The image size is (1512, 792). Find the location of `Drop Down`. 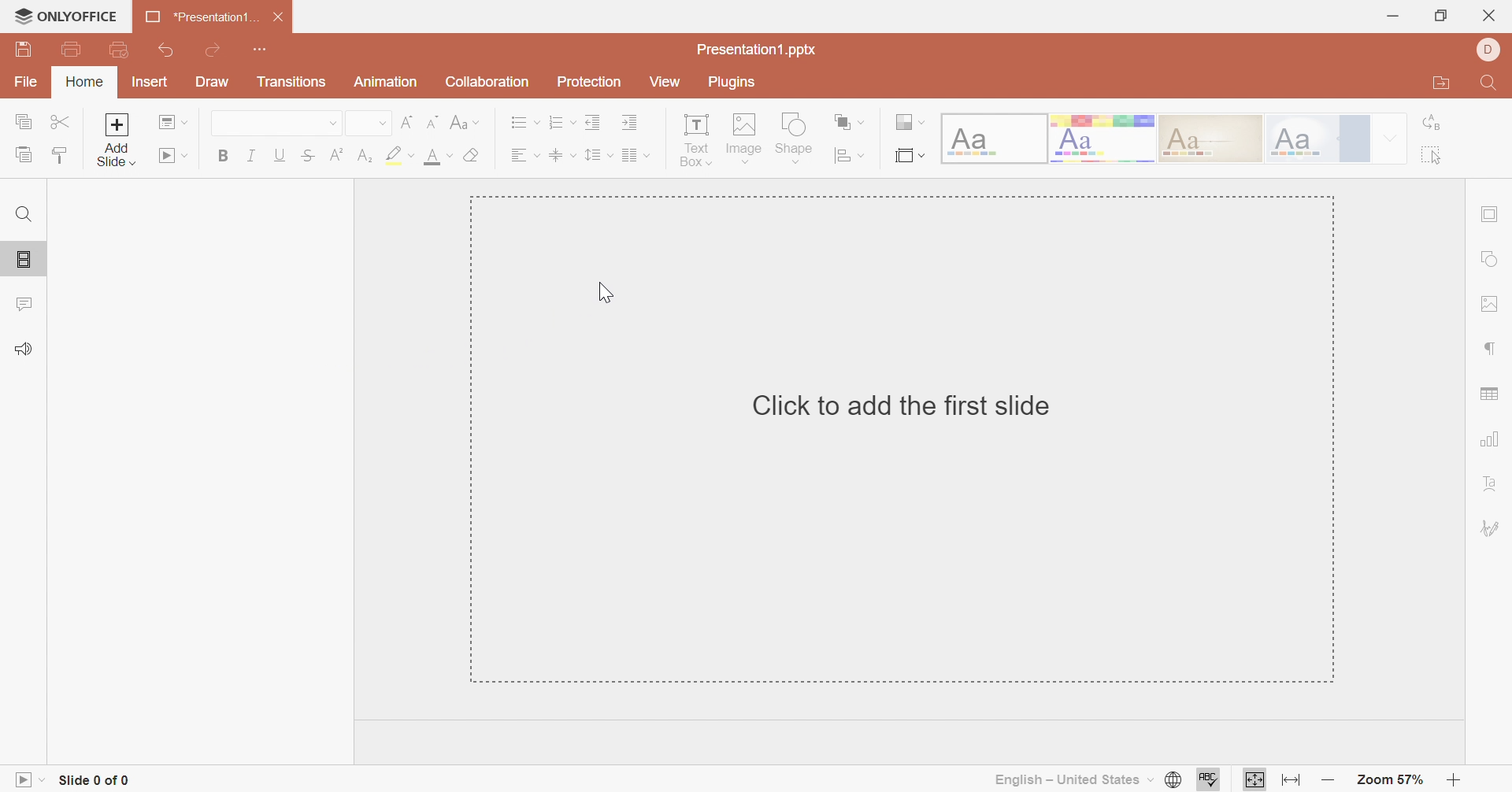

Drop Down is located at coordinates (481, 121).